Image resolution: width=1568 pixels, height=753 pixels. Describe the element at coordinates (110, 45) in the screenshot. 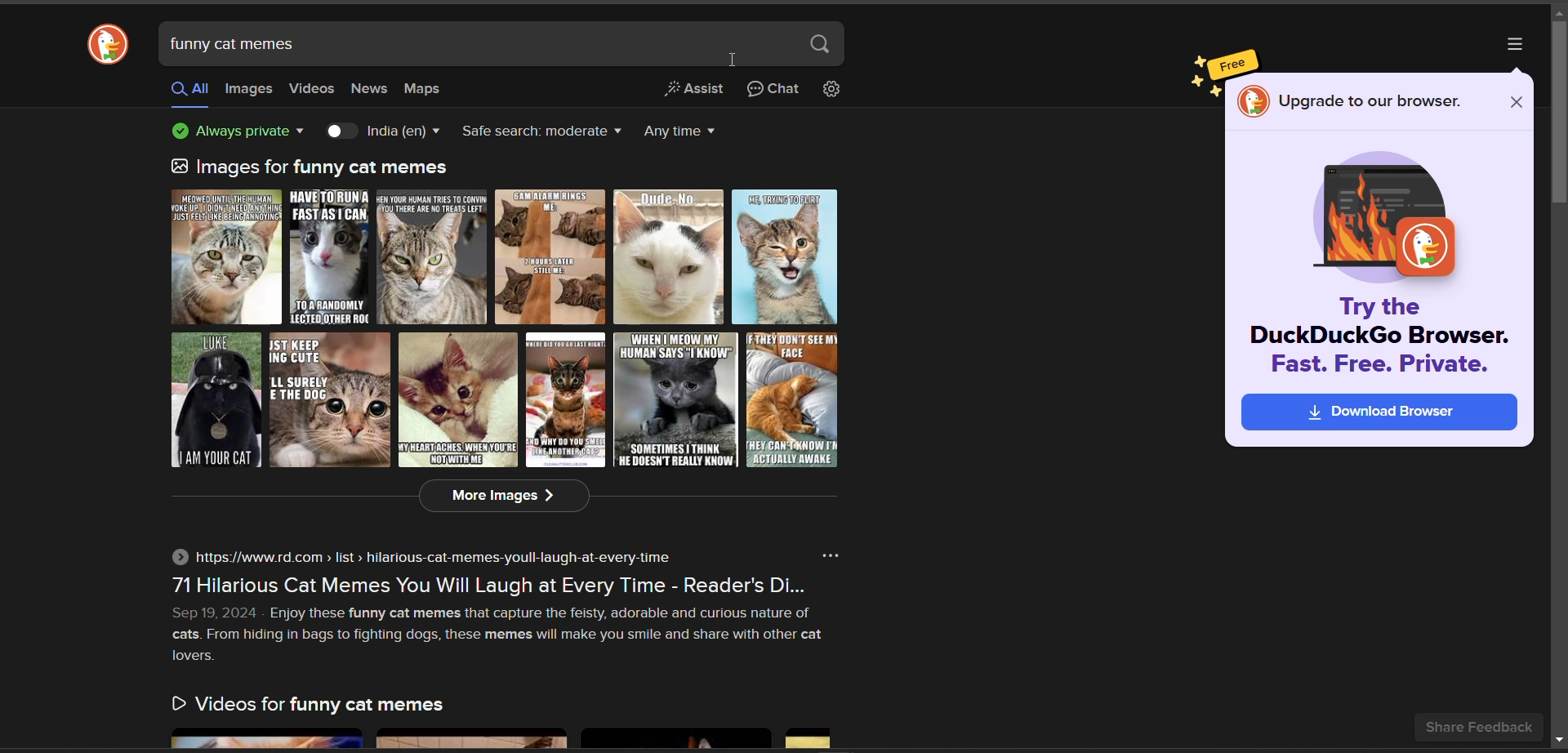

I see `logo` at that location.